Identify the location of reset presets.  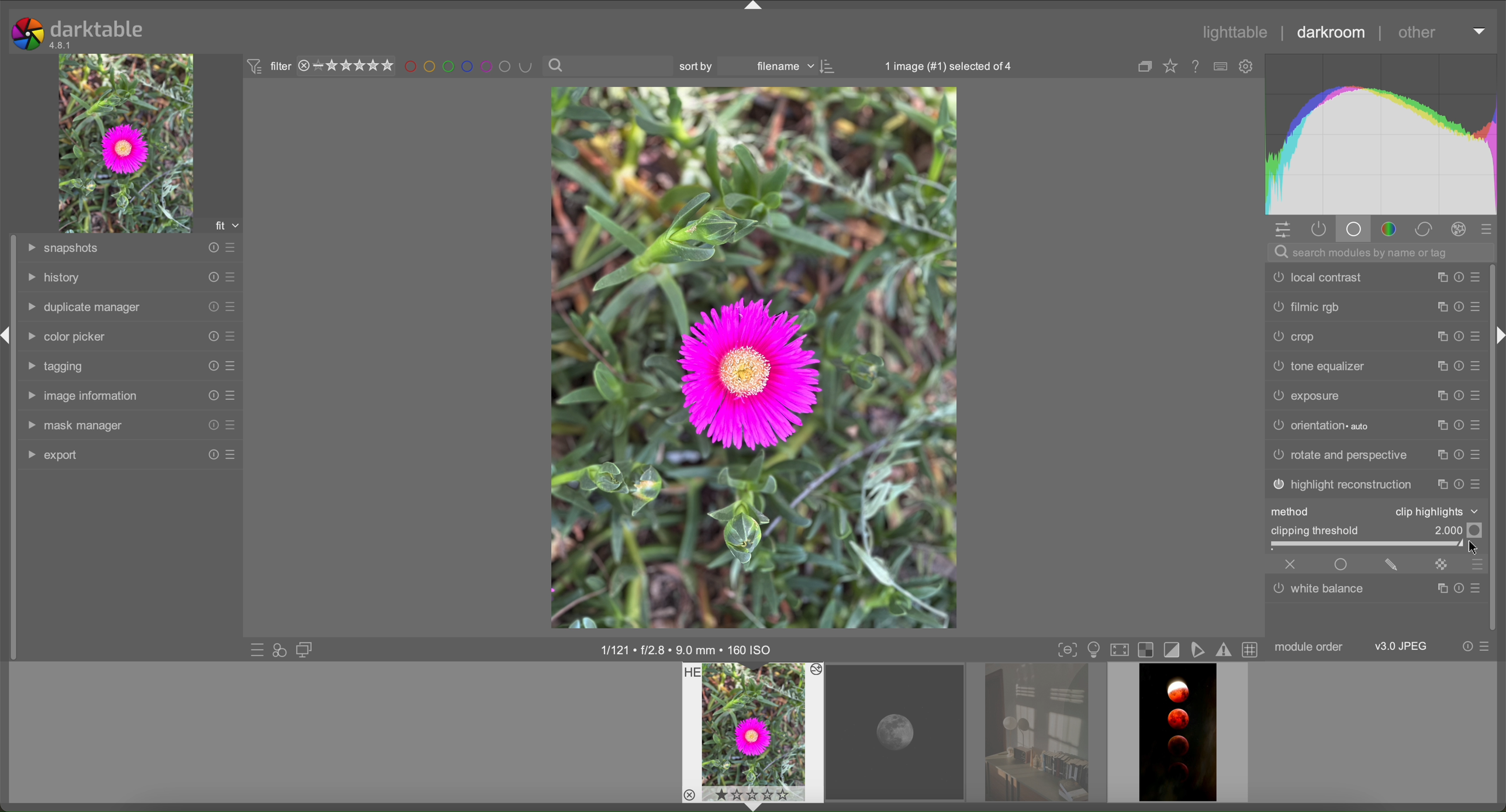
(210, 426).